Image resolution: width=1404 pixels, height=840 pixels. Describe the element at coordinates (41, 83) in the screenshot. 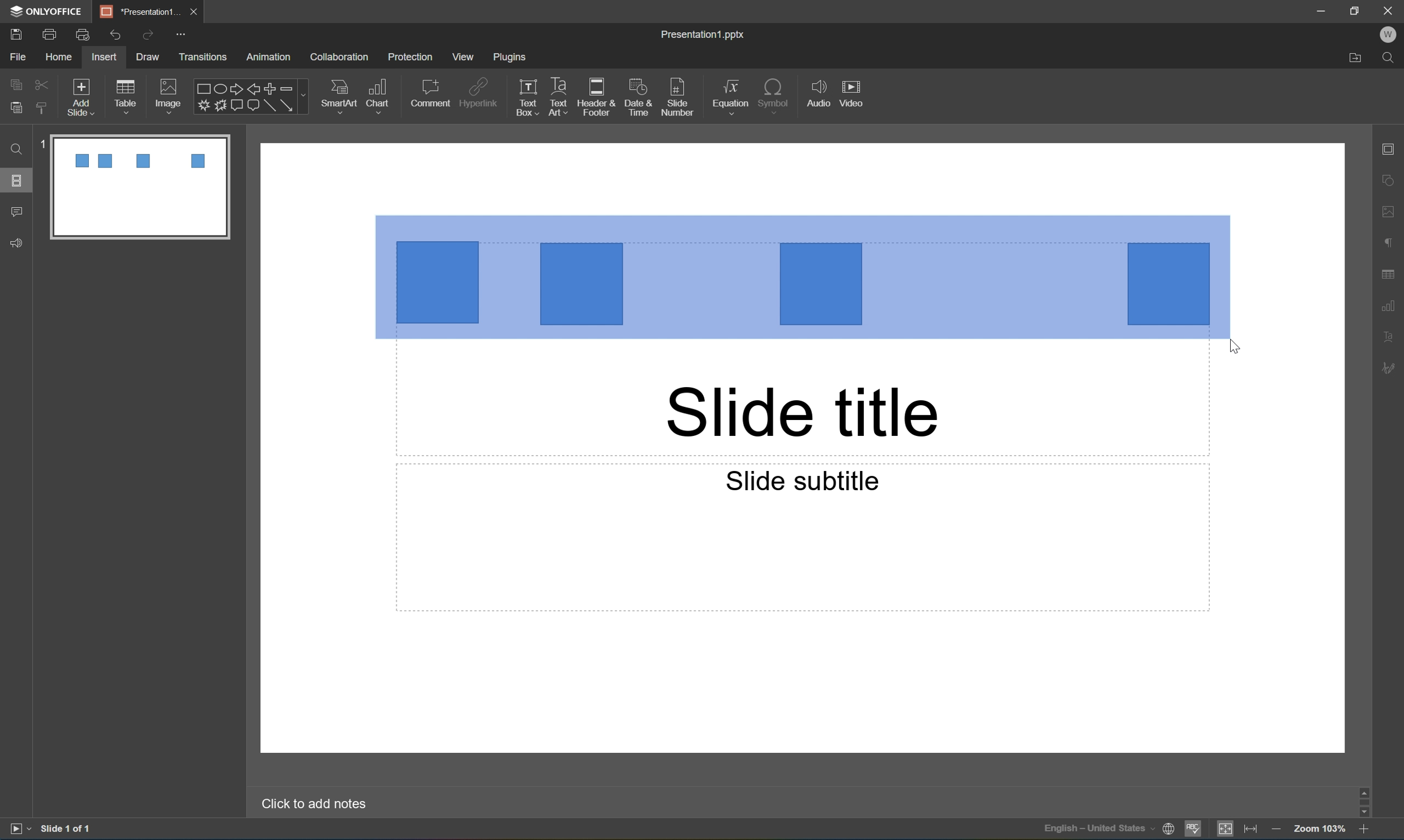

I see `cut` at that location.